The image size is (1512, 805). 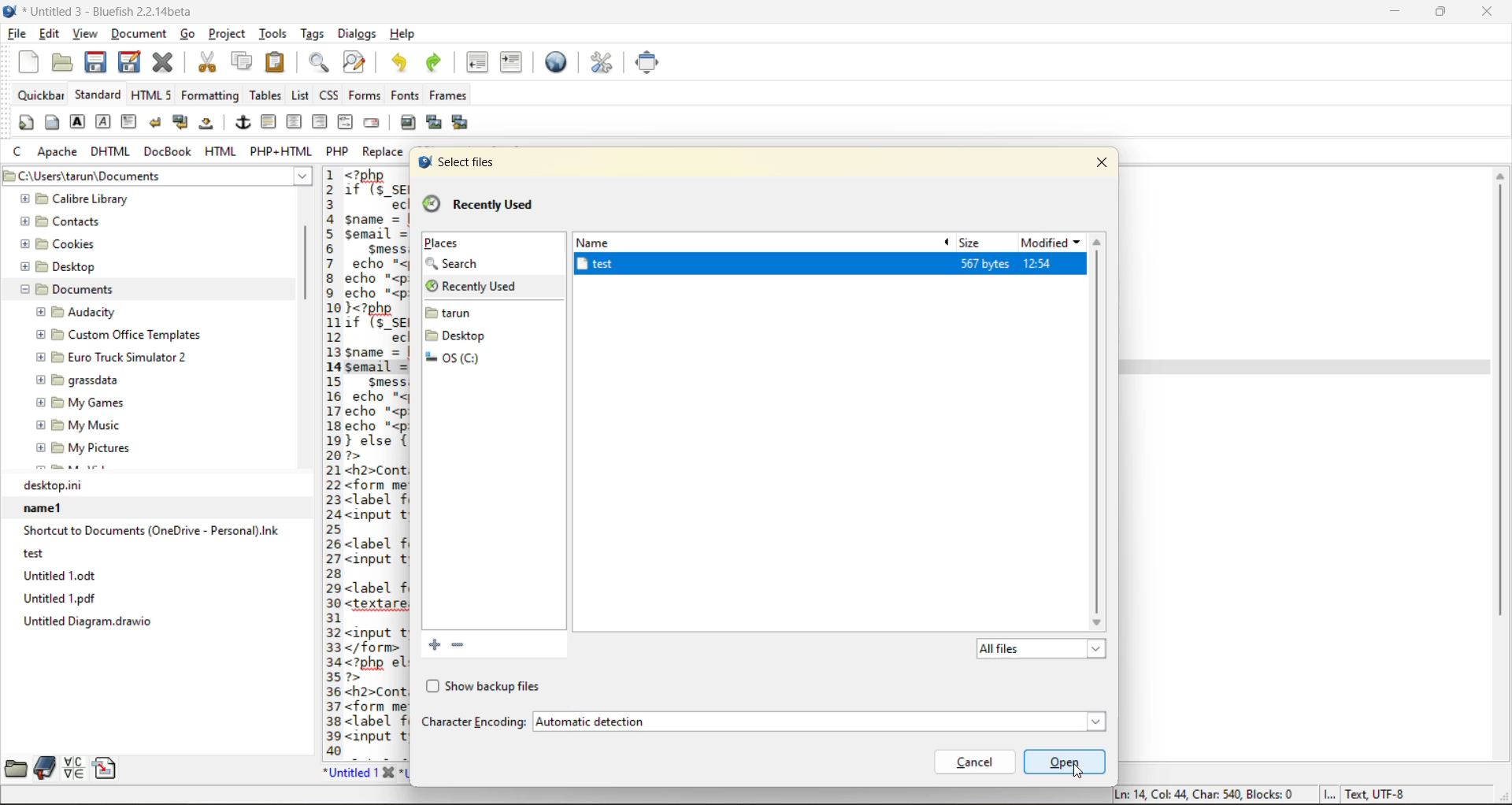 I want to click on show backup files, so click(x=481, y=687).